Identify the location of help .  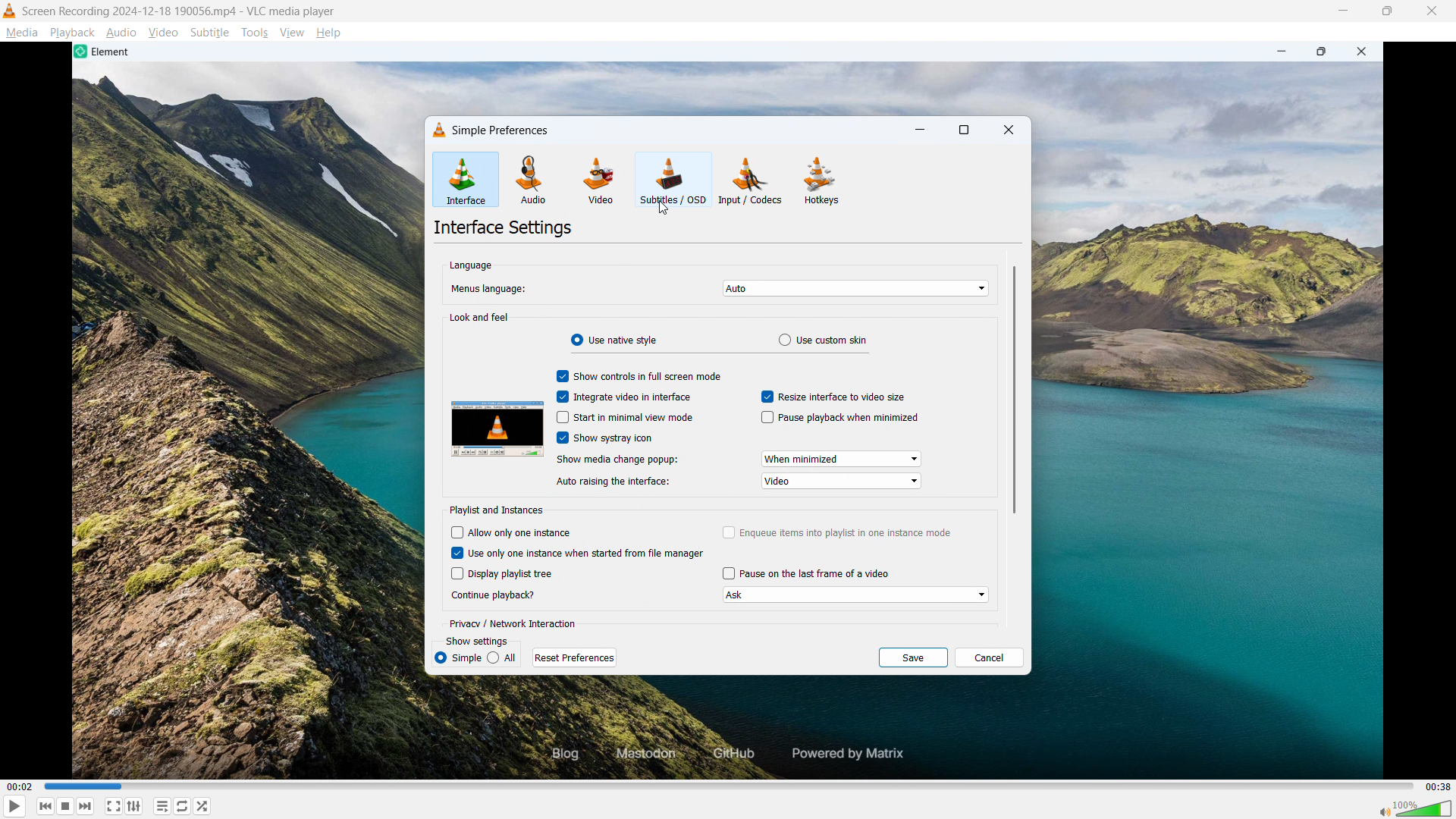
(329, 33).